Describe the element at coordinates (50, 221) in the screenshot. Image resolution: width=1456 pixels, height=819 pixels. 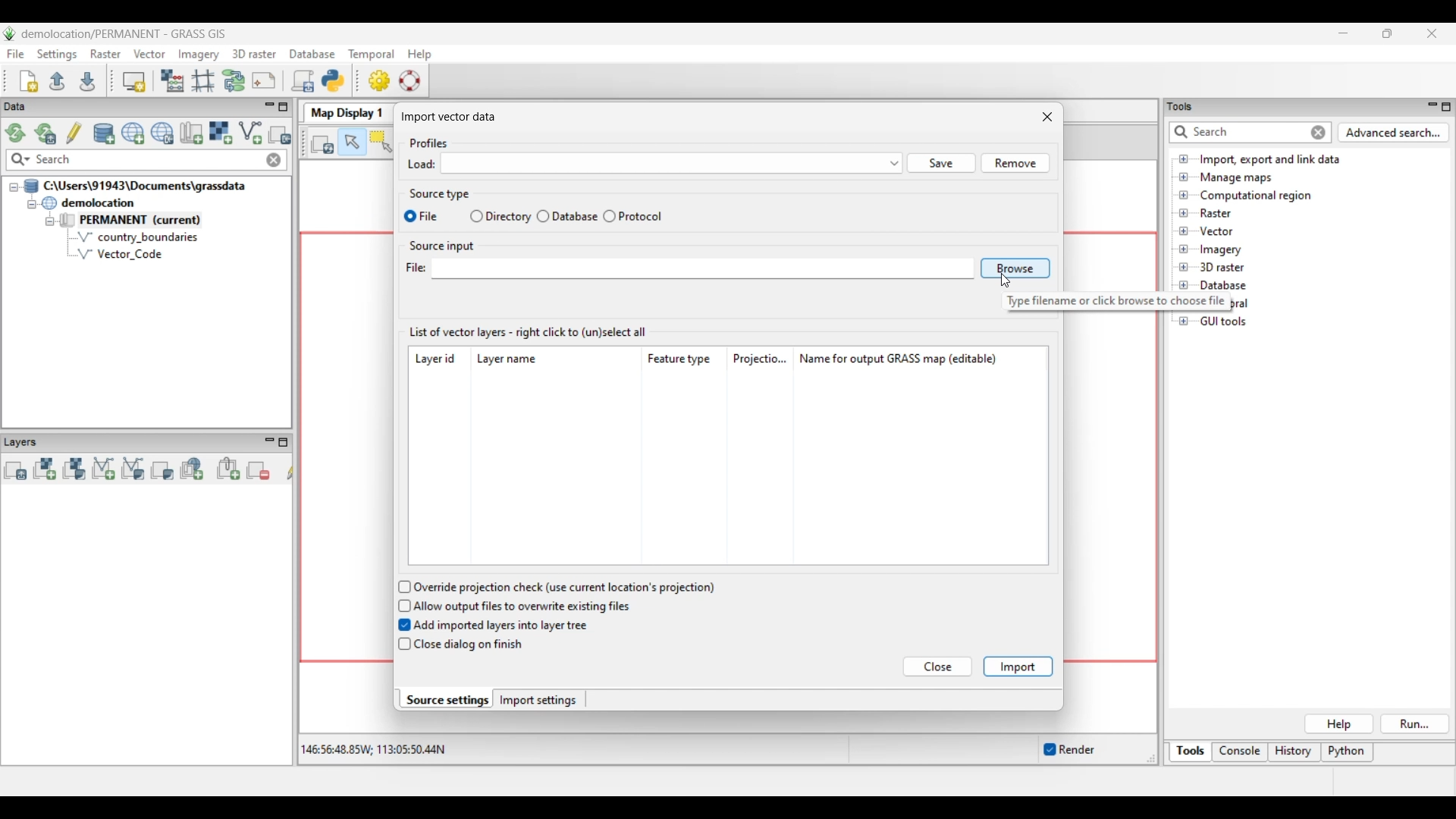
I see `Collapse permanent files view` at that location.